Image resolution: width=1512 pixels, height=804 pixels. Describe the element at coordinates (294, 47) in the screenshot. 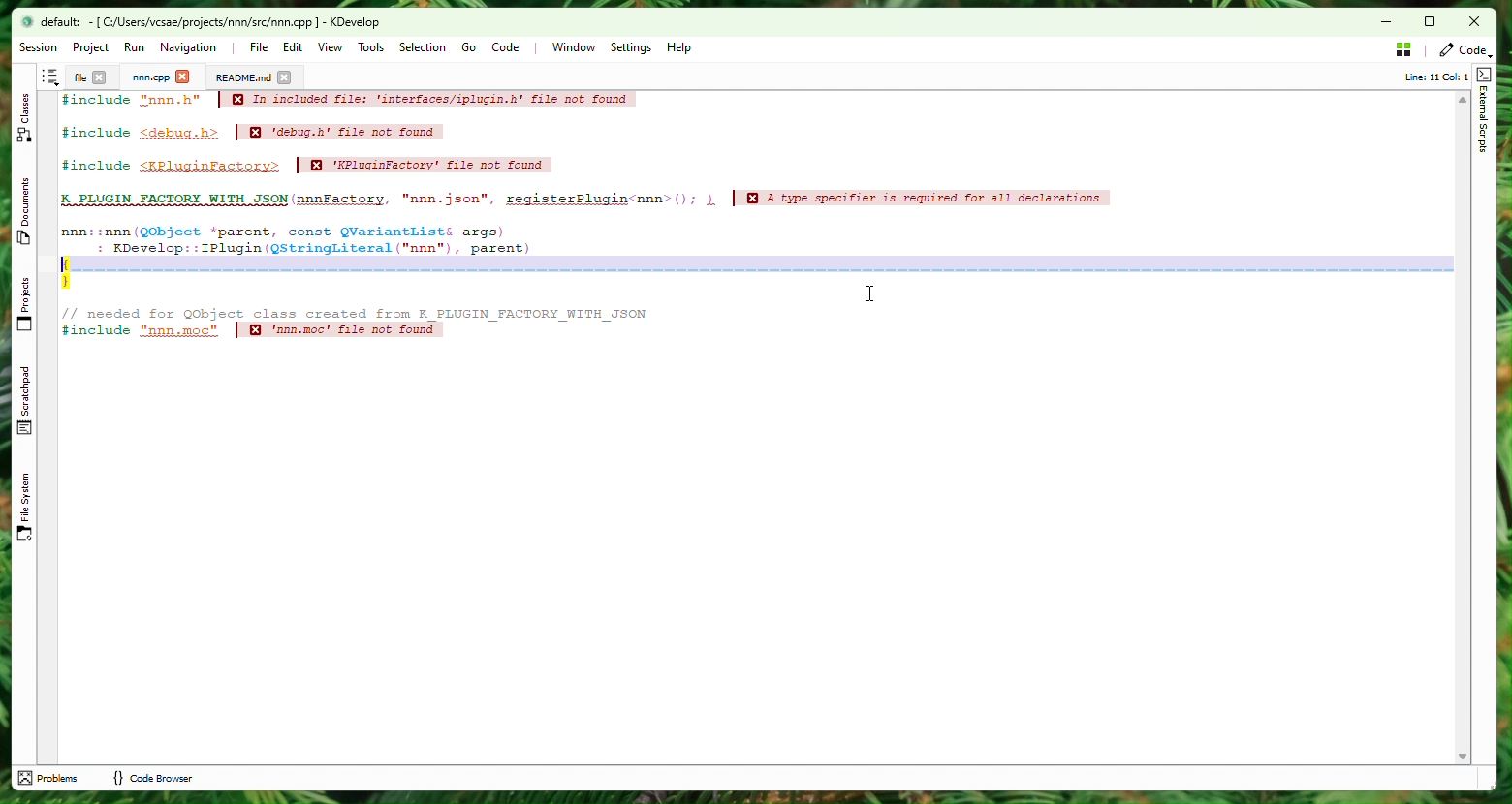

I see `Edit` at that location.